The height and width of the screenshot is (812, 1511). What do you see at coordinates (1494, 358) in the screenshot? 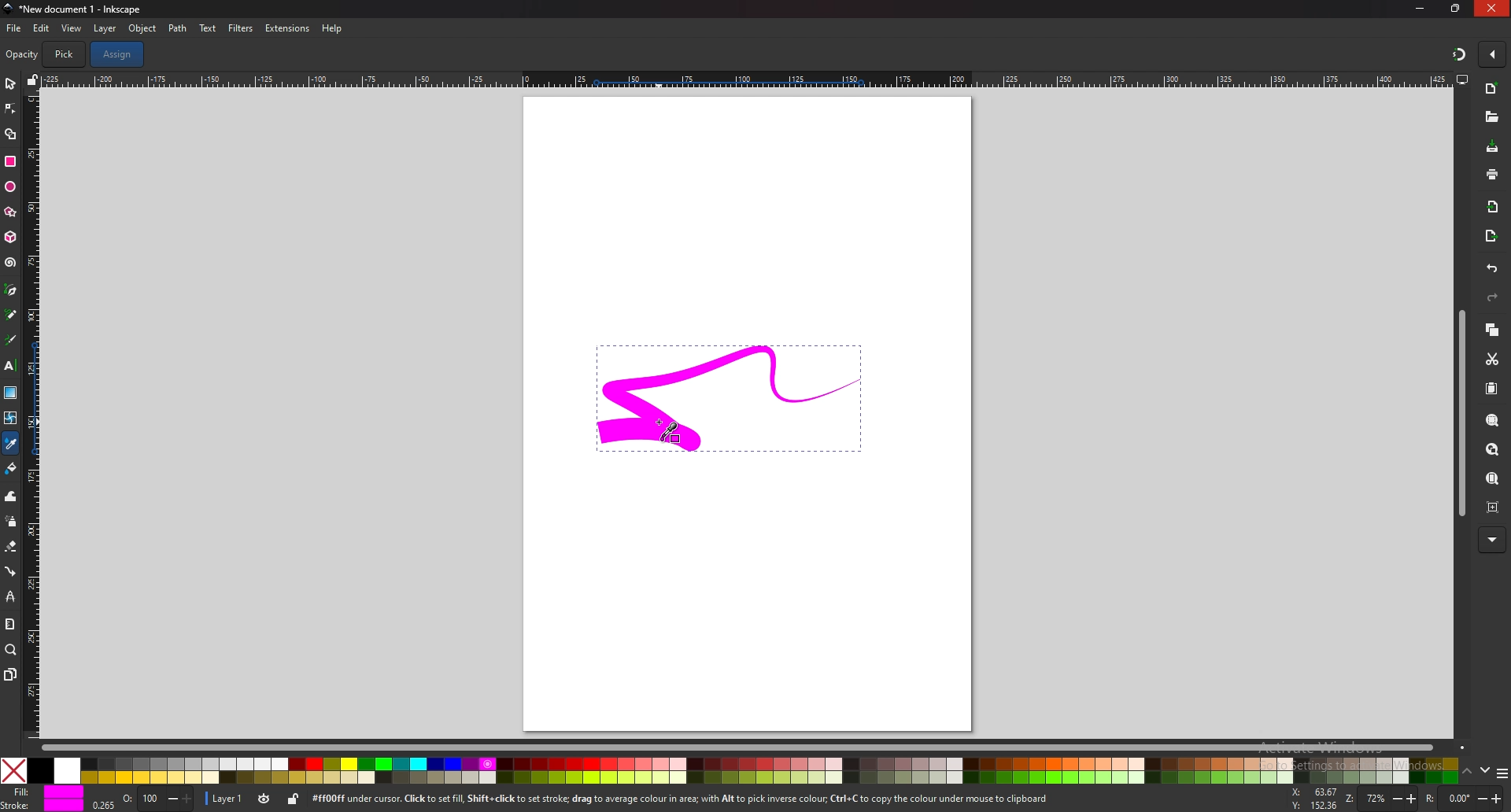
I see `cut` at bounding box center [1494, 358].